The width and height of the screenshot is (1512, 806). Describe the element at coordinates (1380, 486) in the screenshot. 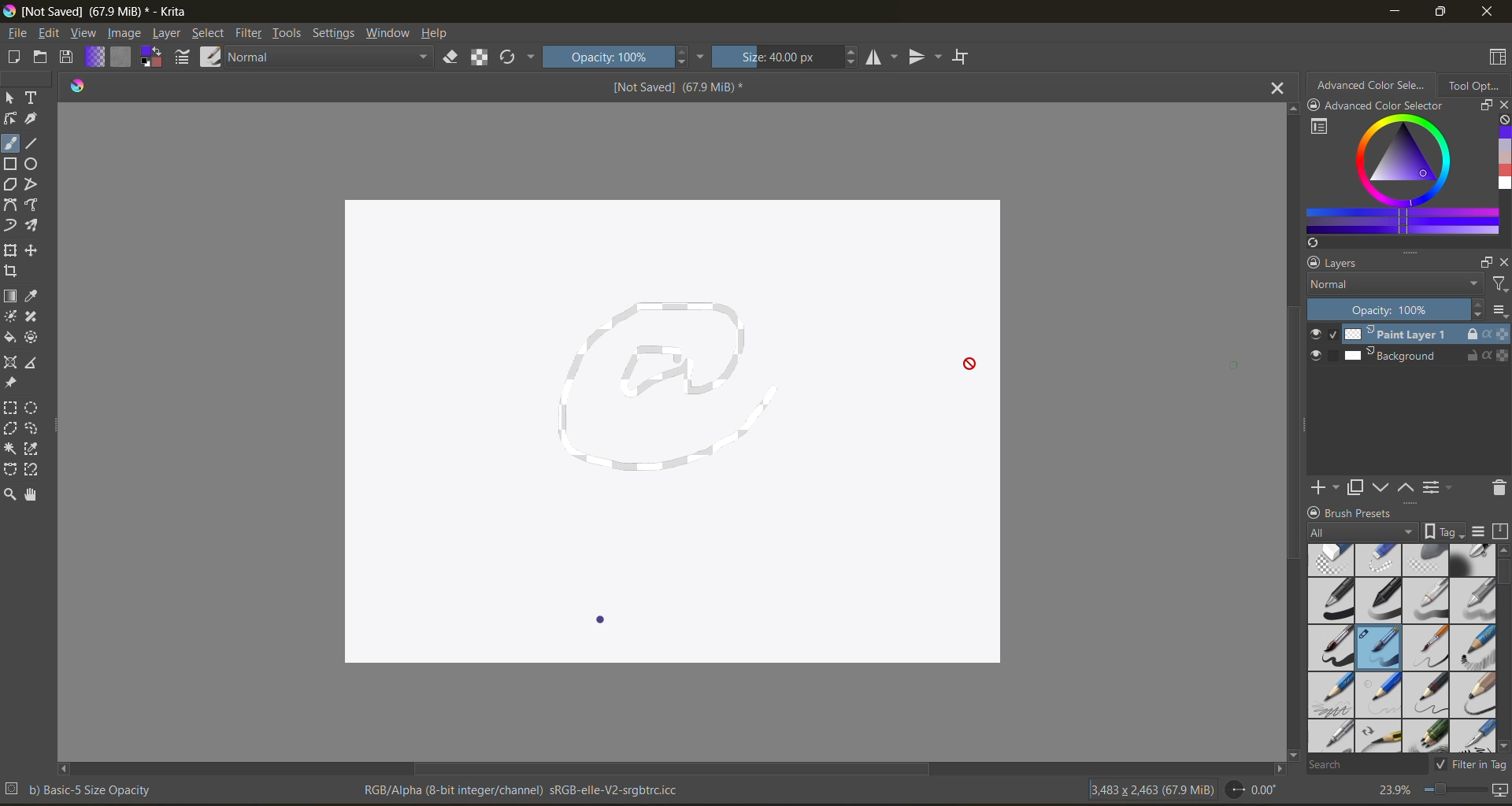

I see `mask down` at that location.